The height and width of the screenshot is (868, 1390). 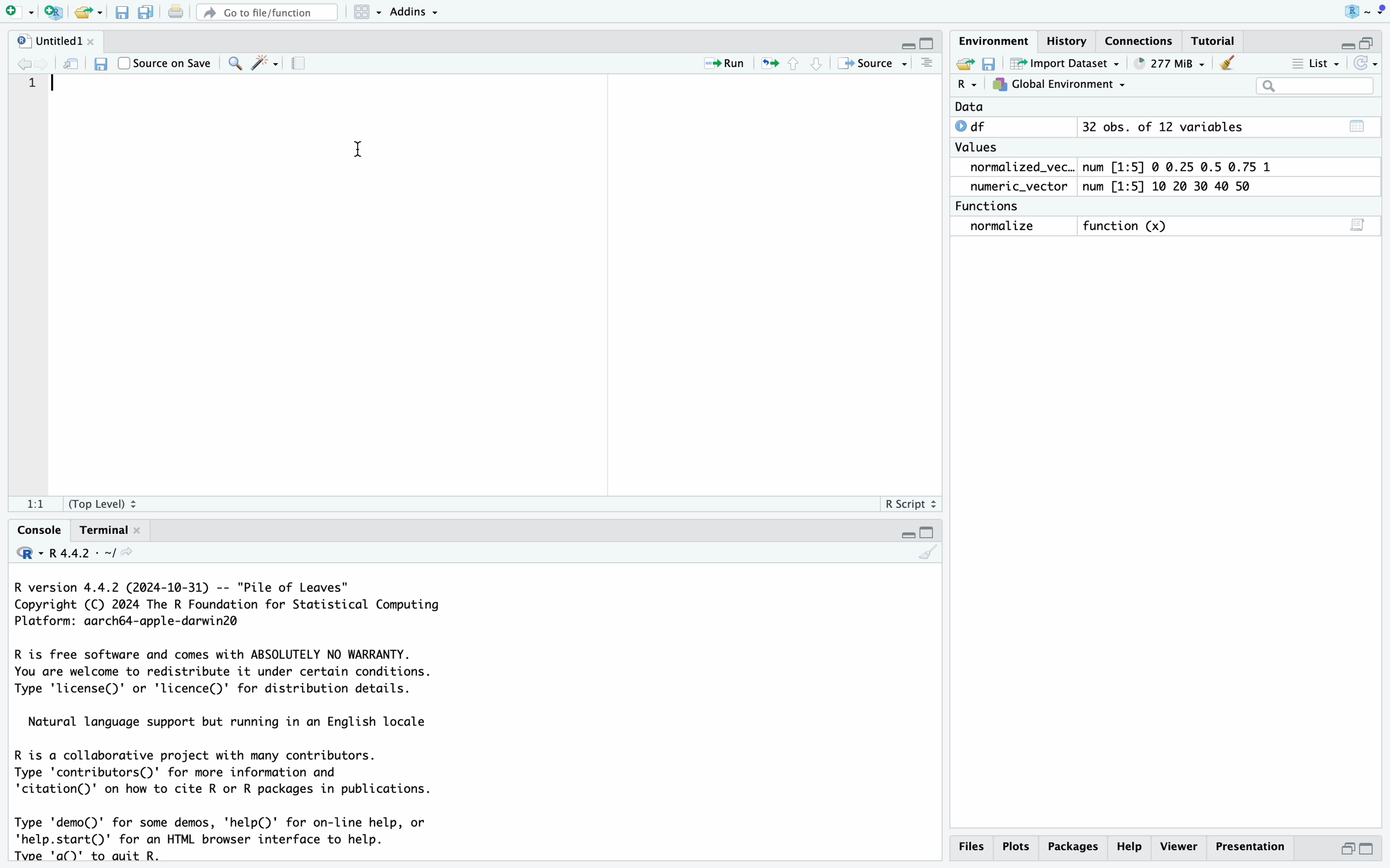 I want to click on save in new window, so click(x=72, y=64).